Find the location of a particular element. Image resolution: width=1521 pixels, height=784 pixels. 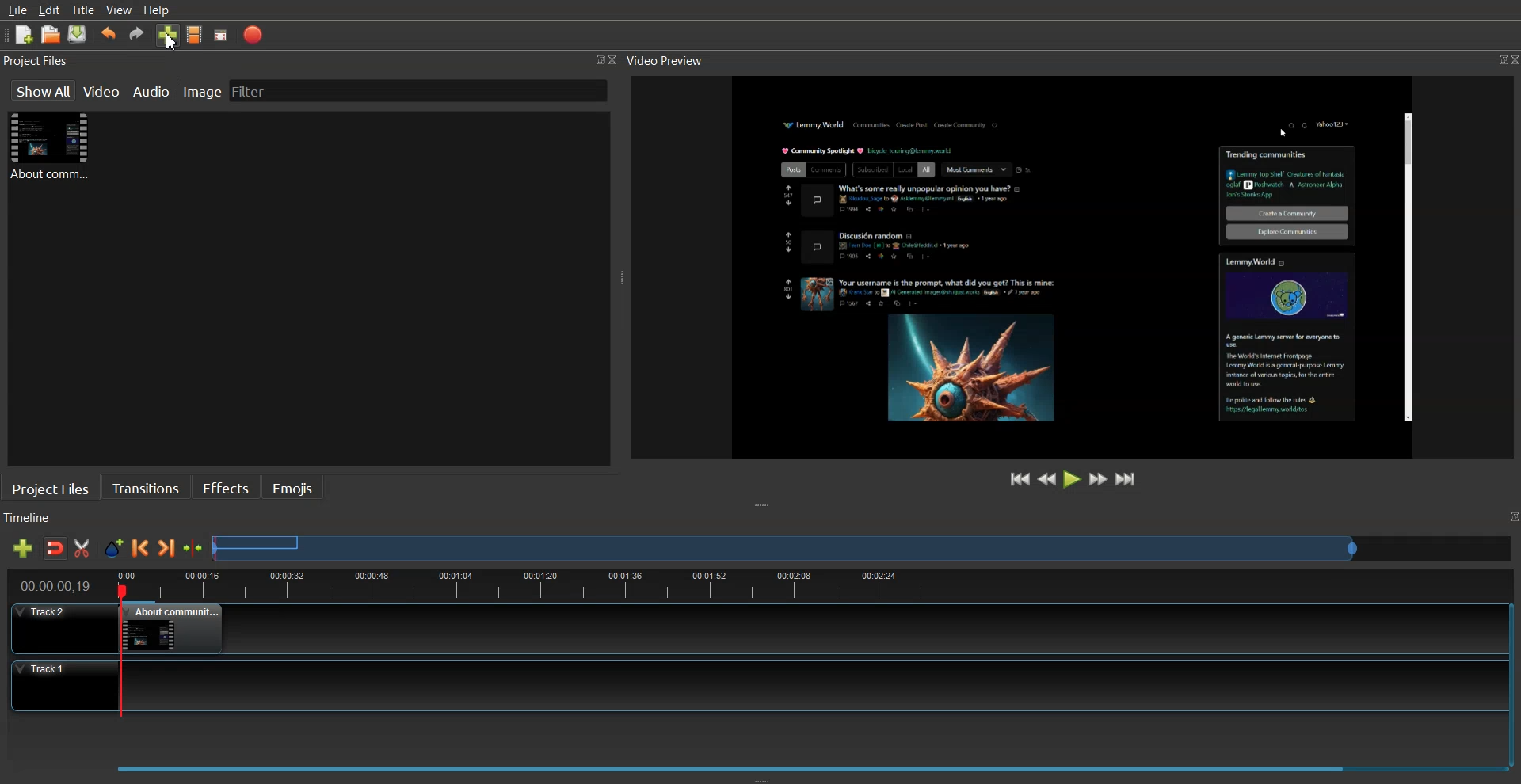

Track 1 is located at coordinates (748, 686).